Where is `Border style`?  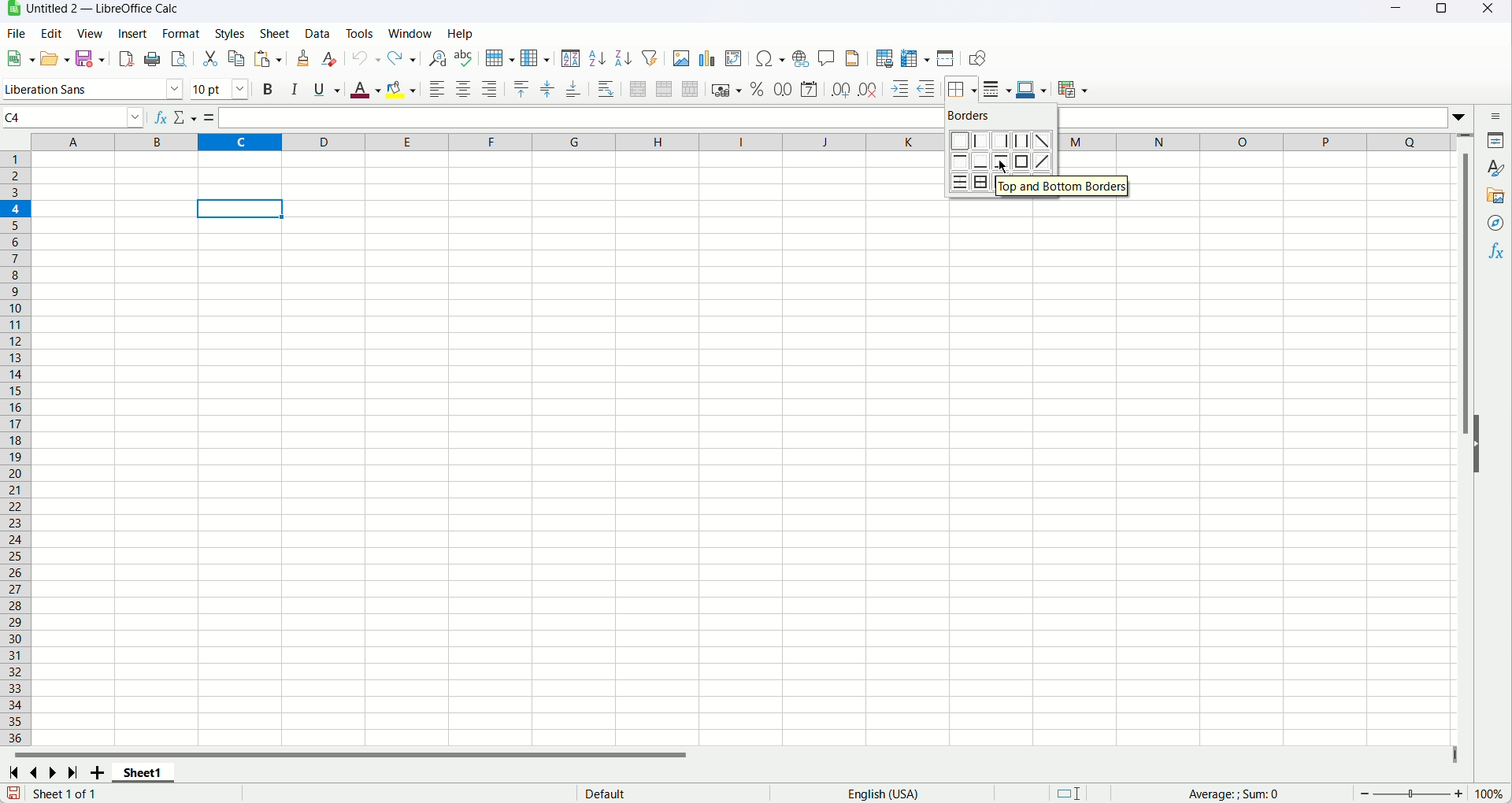
Border style is located at coordinates (996, 89).